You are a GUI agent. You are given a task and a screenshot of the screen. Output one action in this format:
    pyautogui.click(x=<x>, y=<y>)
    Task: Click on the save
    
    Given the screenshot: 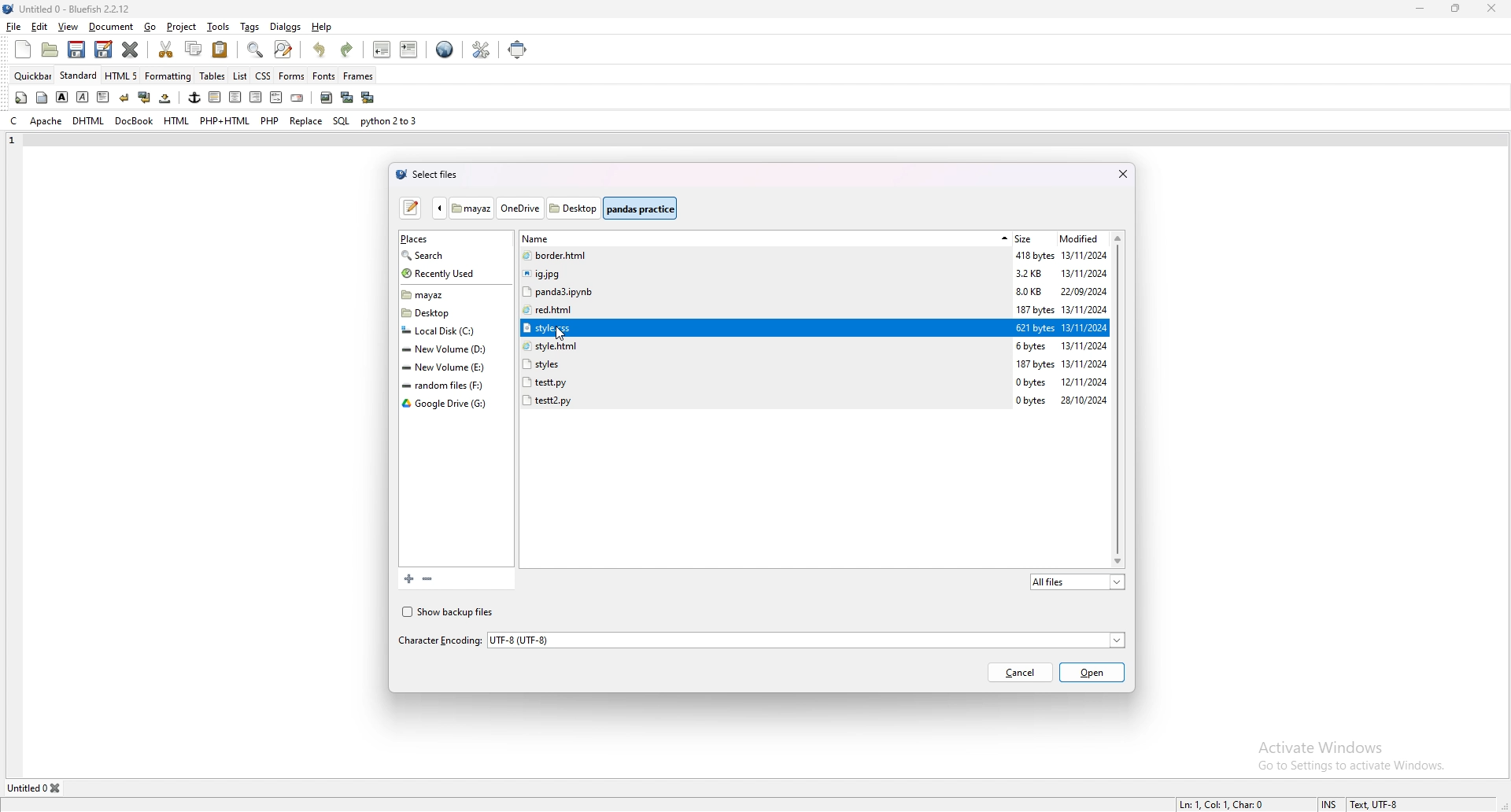 What is the action you would take?
    pyautogui.click(x=76, y=50)
    